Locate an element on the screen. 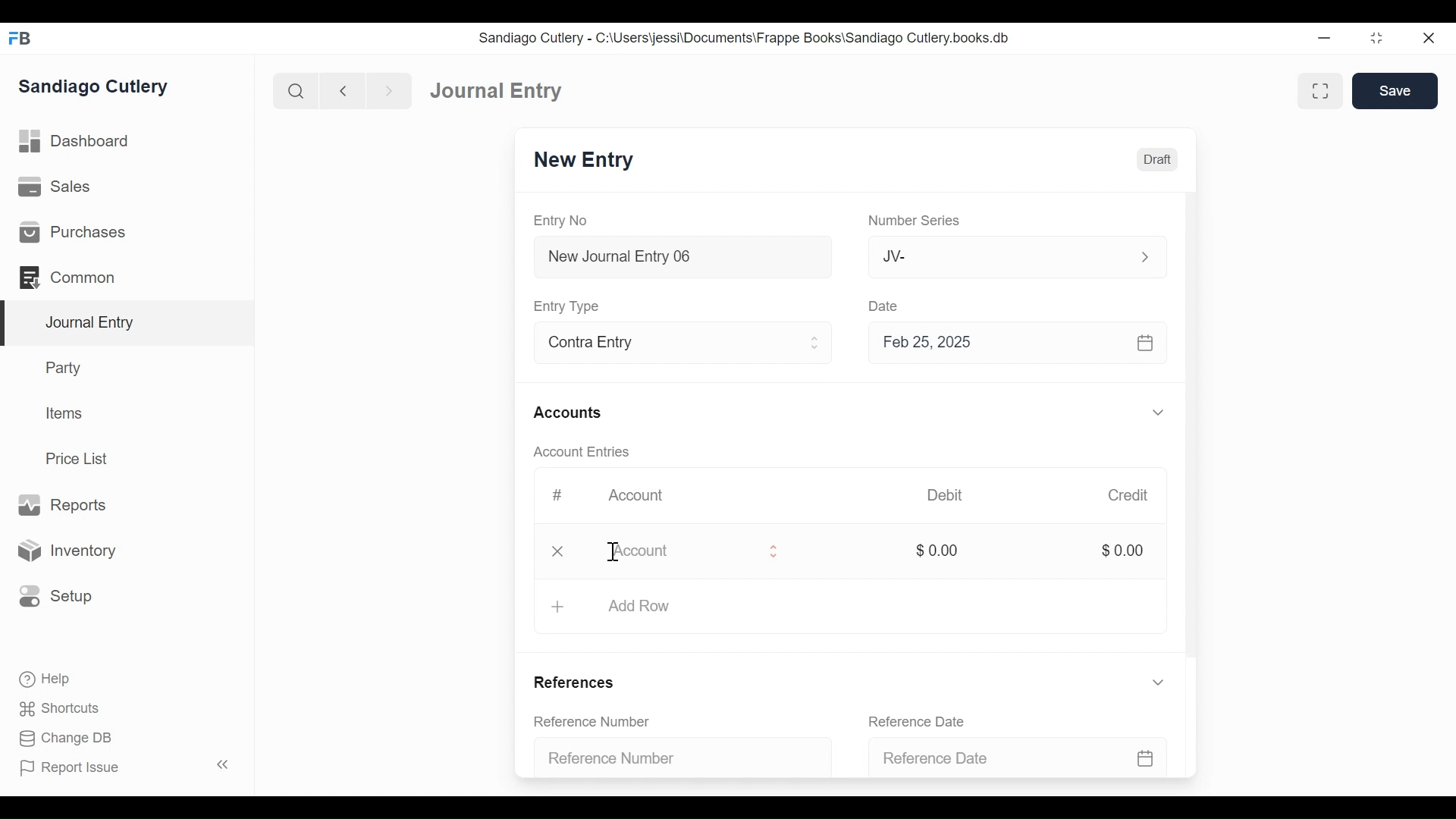  Sandiago Cutlery - C:\Users\jessi\Documents\Frappe Books\Sandiago Cutlery.books.db is located at coordinates (745, 38).